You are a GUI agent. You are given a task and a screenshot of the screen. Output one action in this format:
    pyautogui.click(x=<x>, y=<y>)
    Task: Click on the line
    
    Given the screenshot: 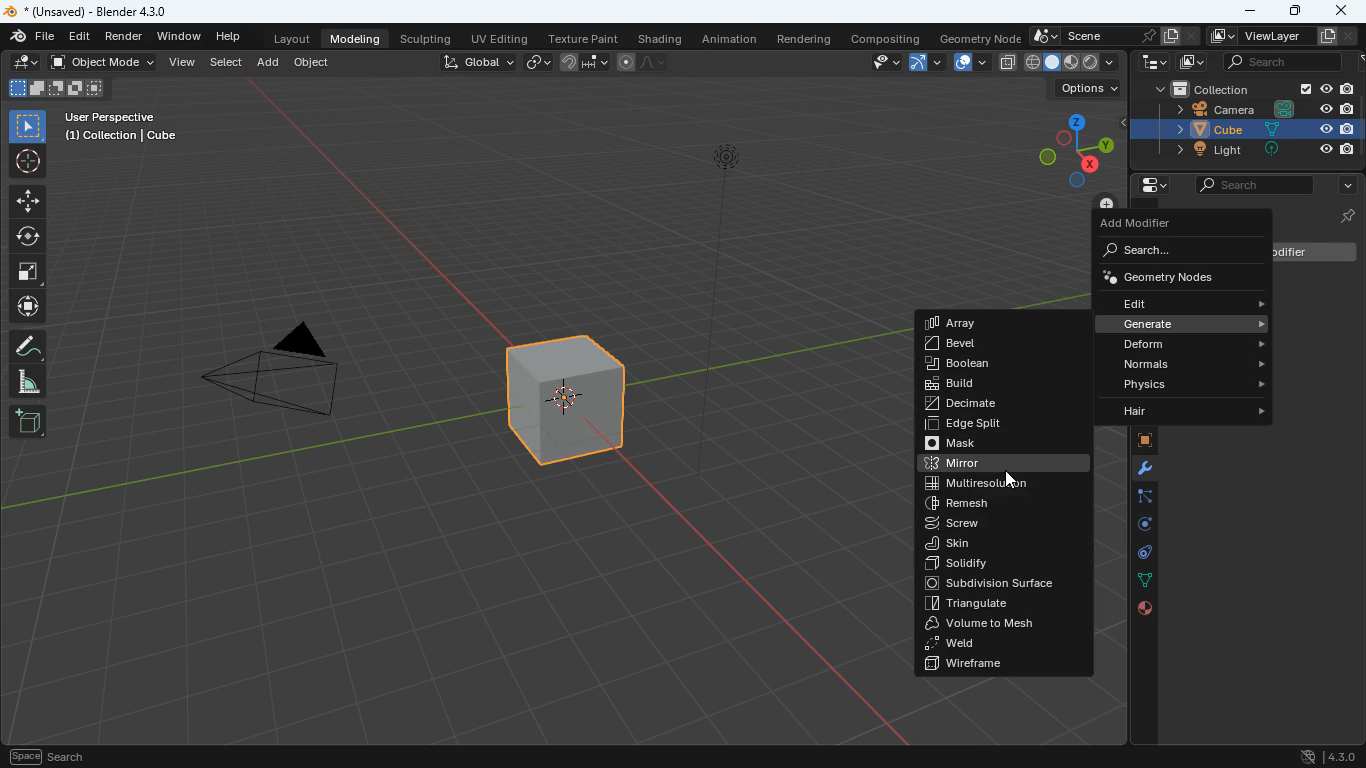 What is the action you would take?
    pyautogui.click(x=645, y=63)
    